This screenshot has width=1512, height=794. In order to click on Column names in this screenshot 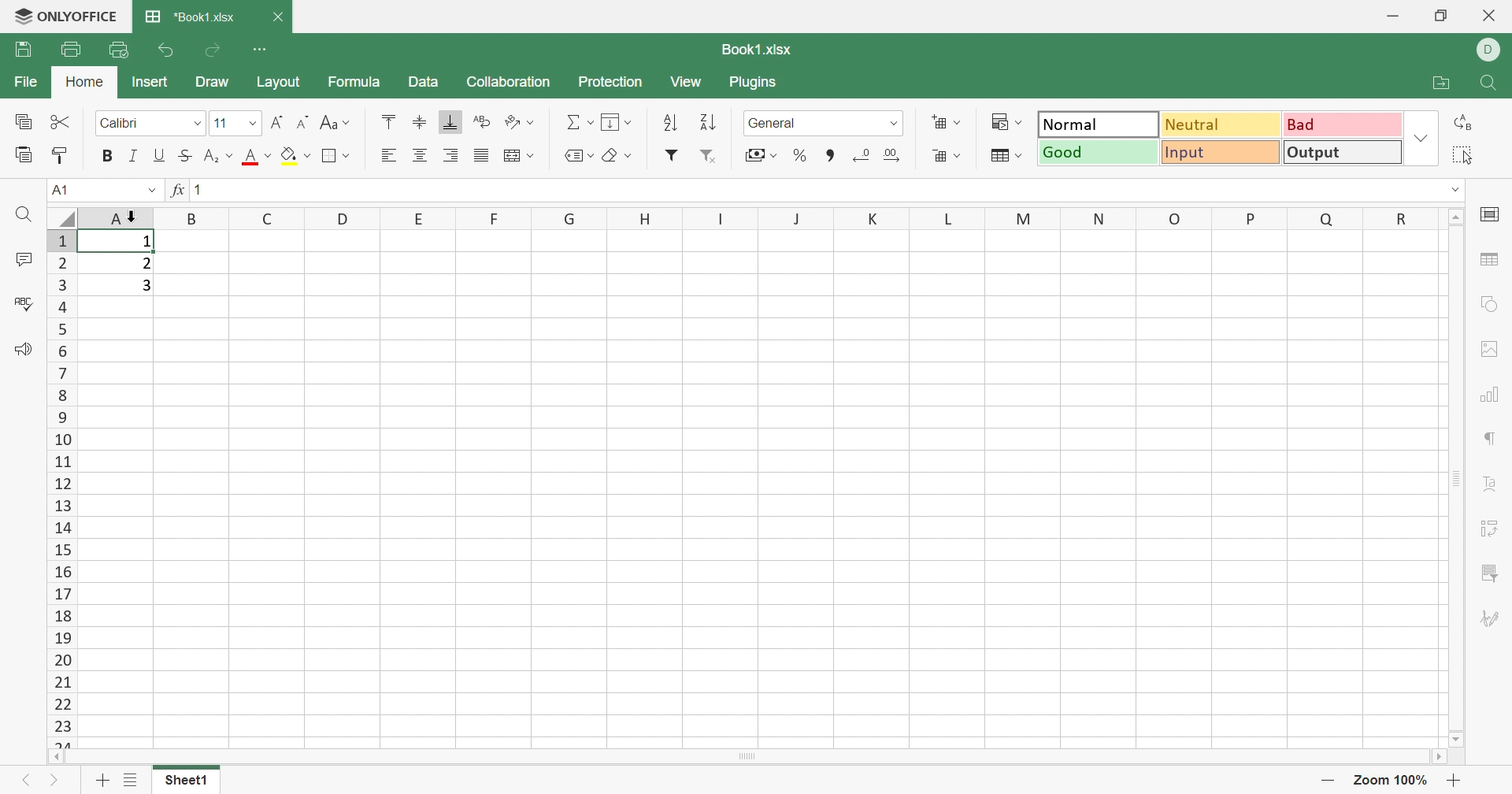, I will do `click(794, 218)`.